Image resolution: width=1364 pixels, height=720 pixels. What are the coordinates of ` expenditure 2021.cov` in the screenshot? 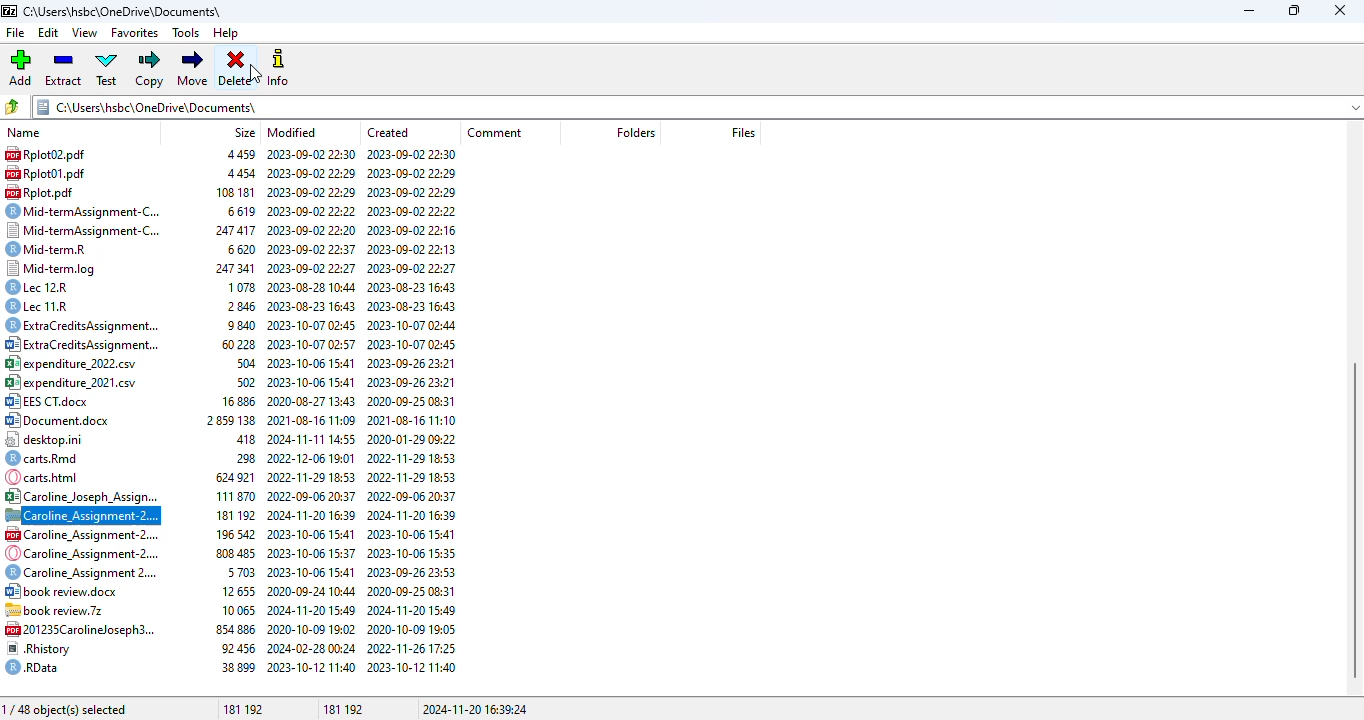 It's located at (75, 383).